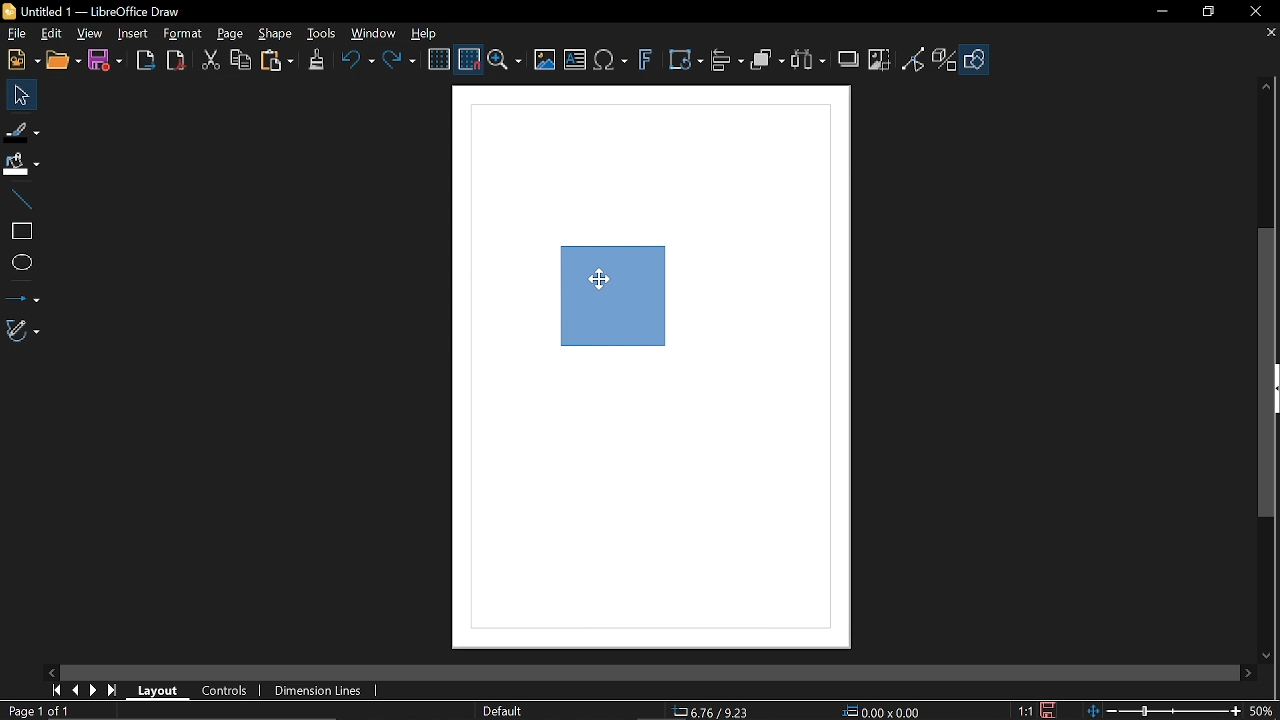 This screenshot has width=1280, height=720. What do you see at coordinates (107, 10) in the screenshot?
I see `Untitled 1 -- LibreOffice Draw` at bounding box center [107, 10].